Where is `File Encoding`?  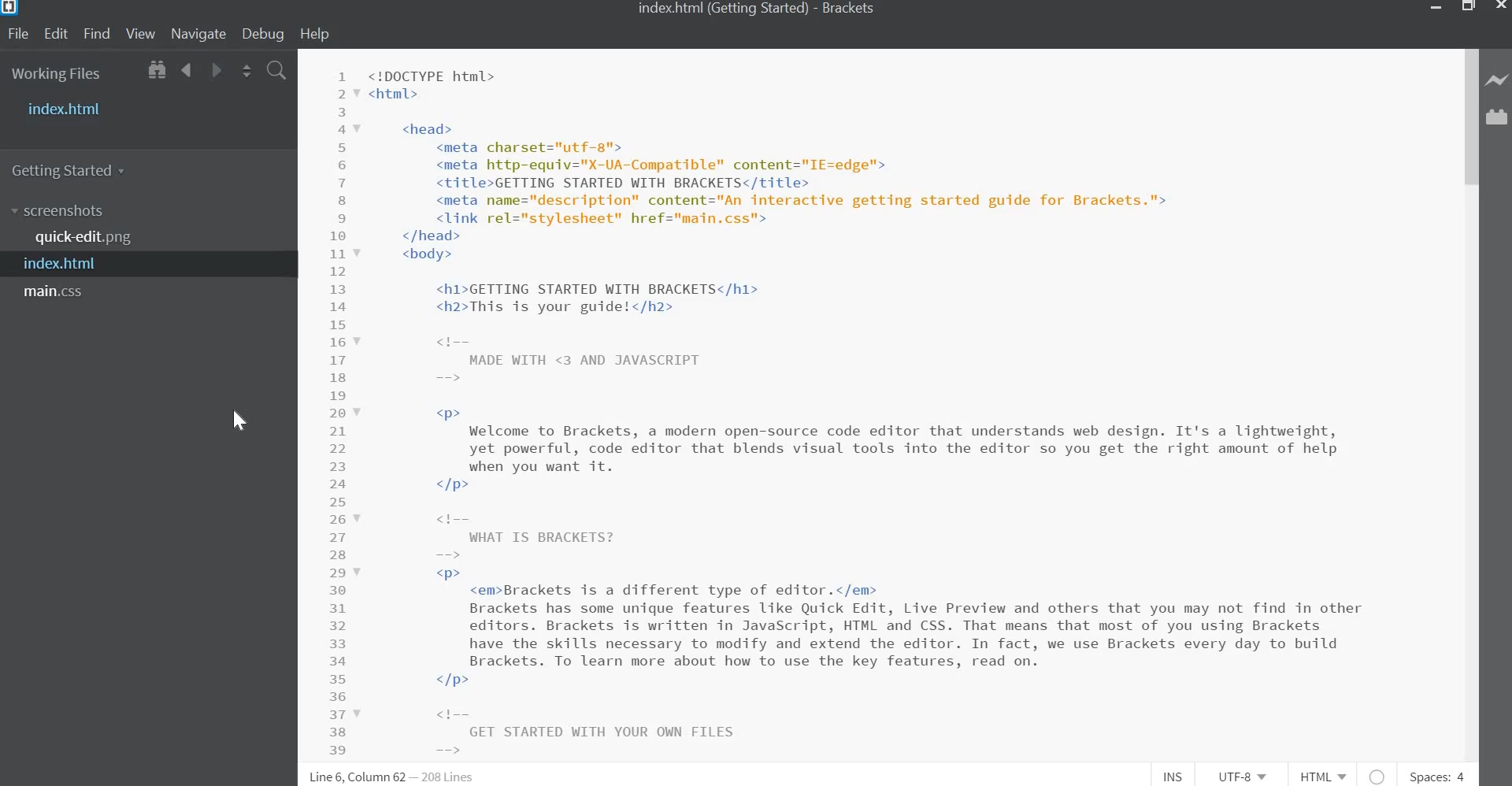
File Encoding is located at coordinates (1245, 777).